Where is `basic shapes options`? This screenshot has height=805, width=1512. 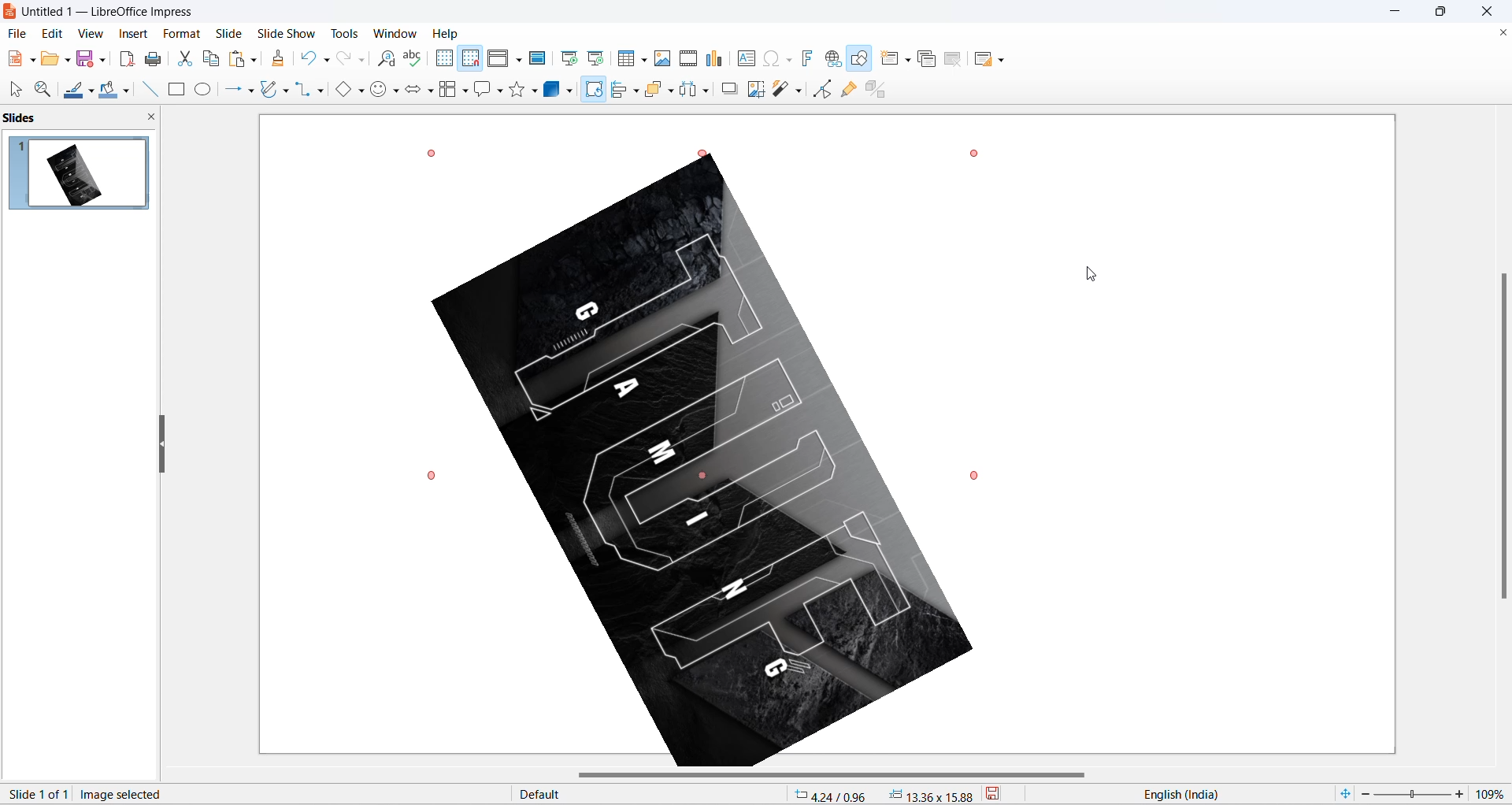
basic shapes options is located at coordinates (360, 90).